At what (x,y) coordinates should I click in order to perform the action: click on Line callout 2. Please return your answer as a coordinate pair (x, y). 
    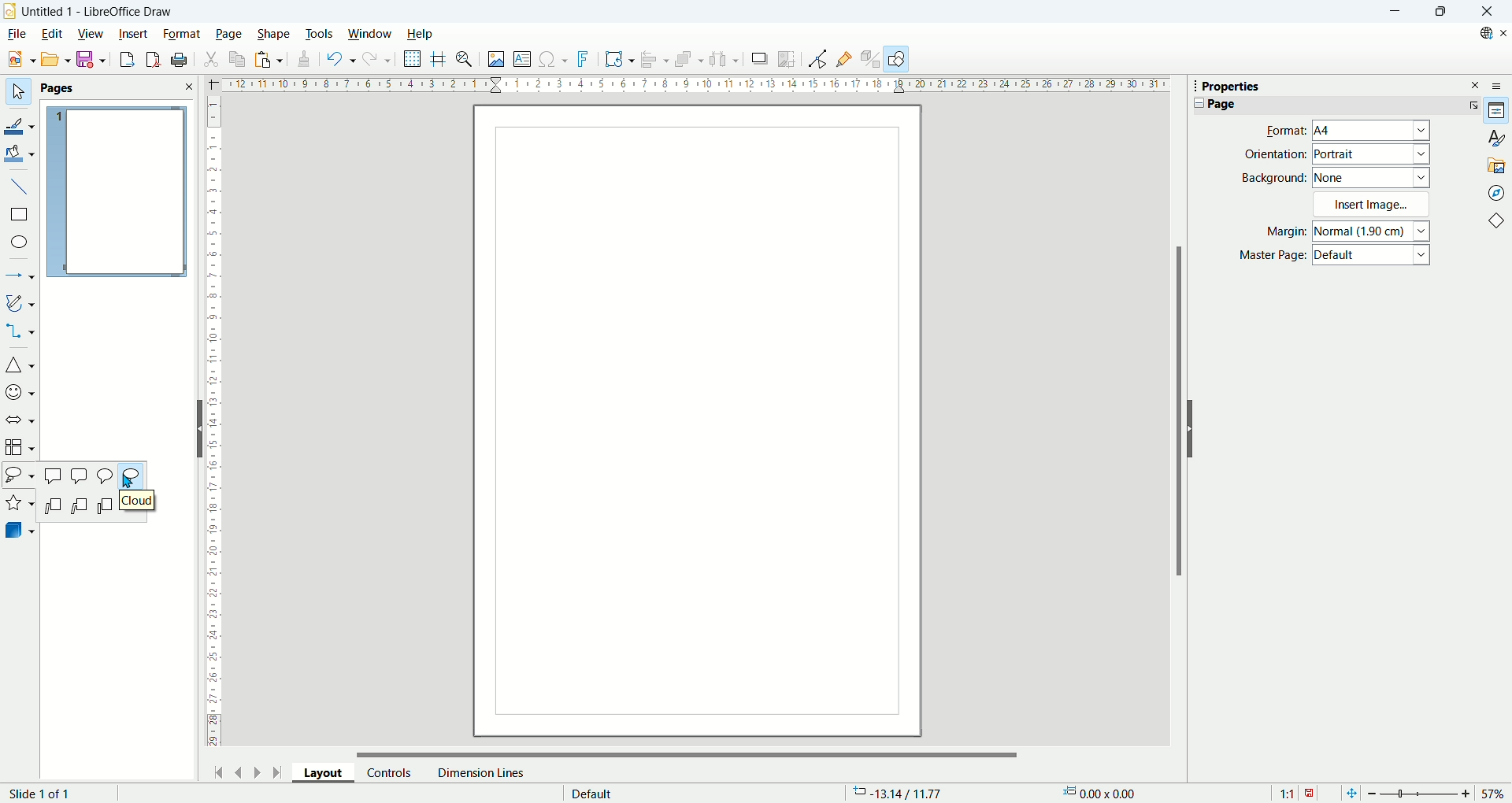
    Looking at the image, I should click on (82, 506).